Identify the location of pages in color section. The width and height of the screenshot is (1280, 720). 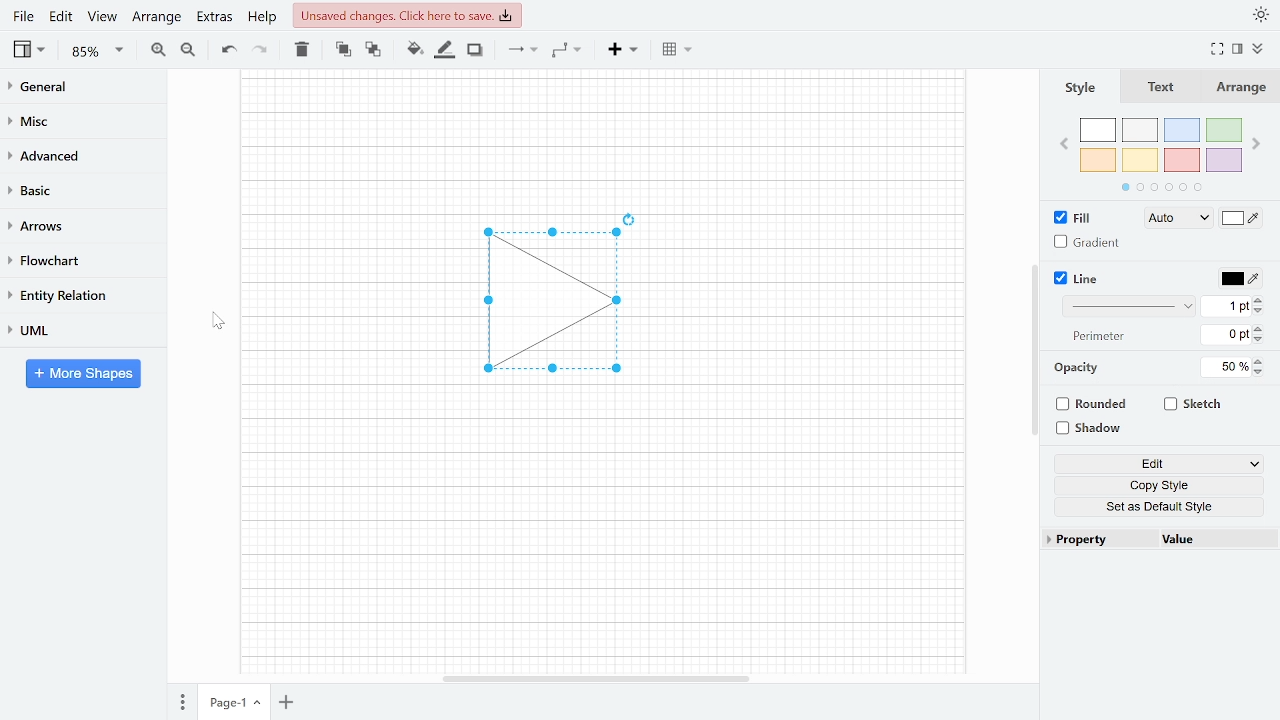
(1159, 185).